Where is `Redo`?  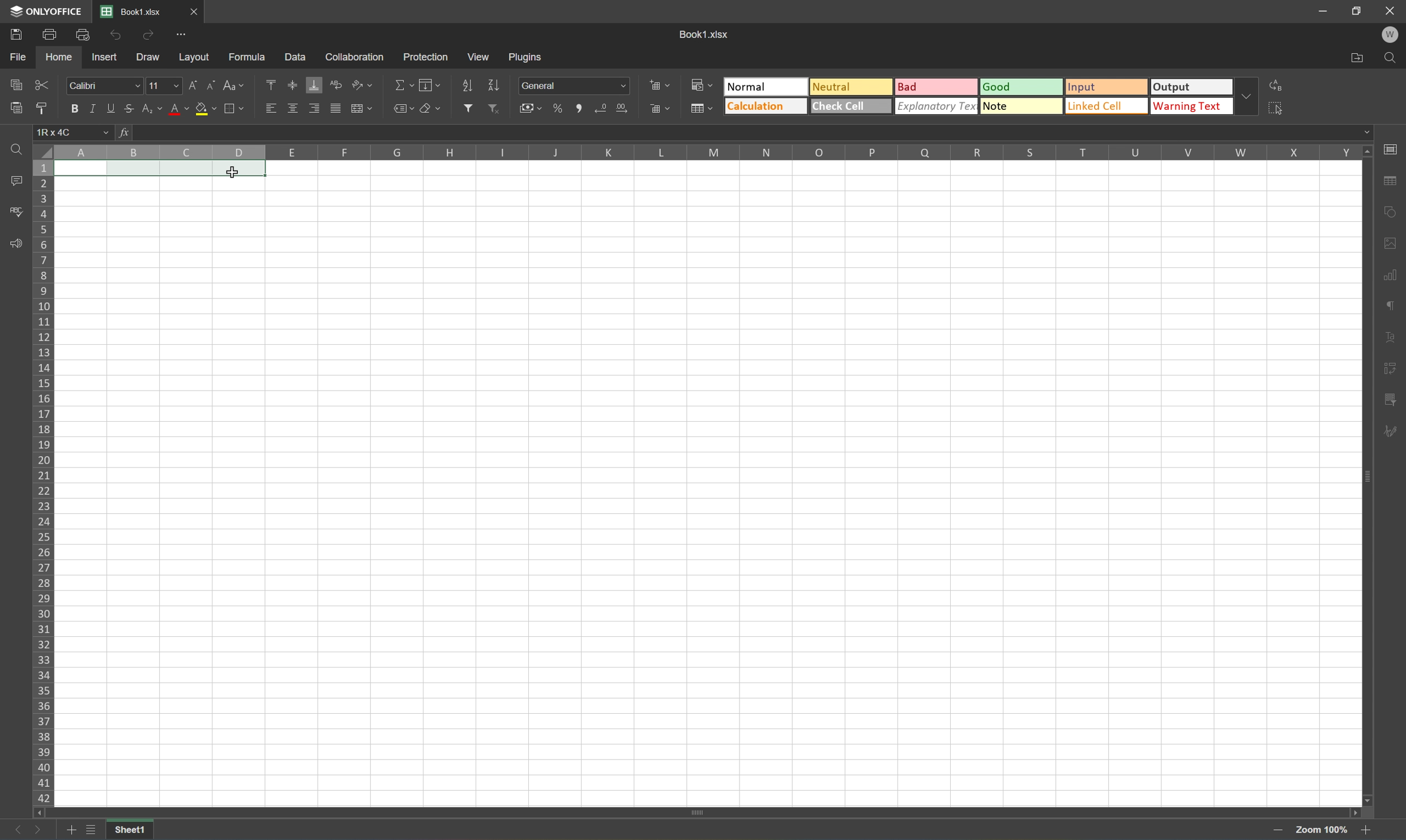 Redo is located at coordinates (149, 37).